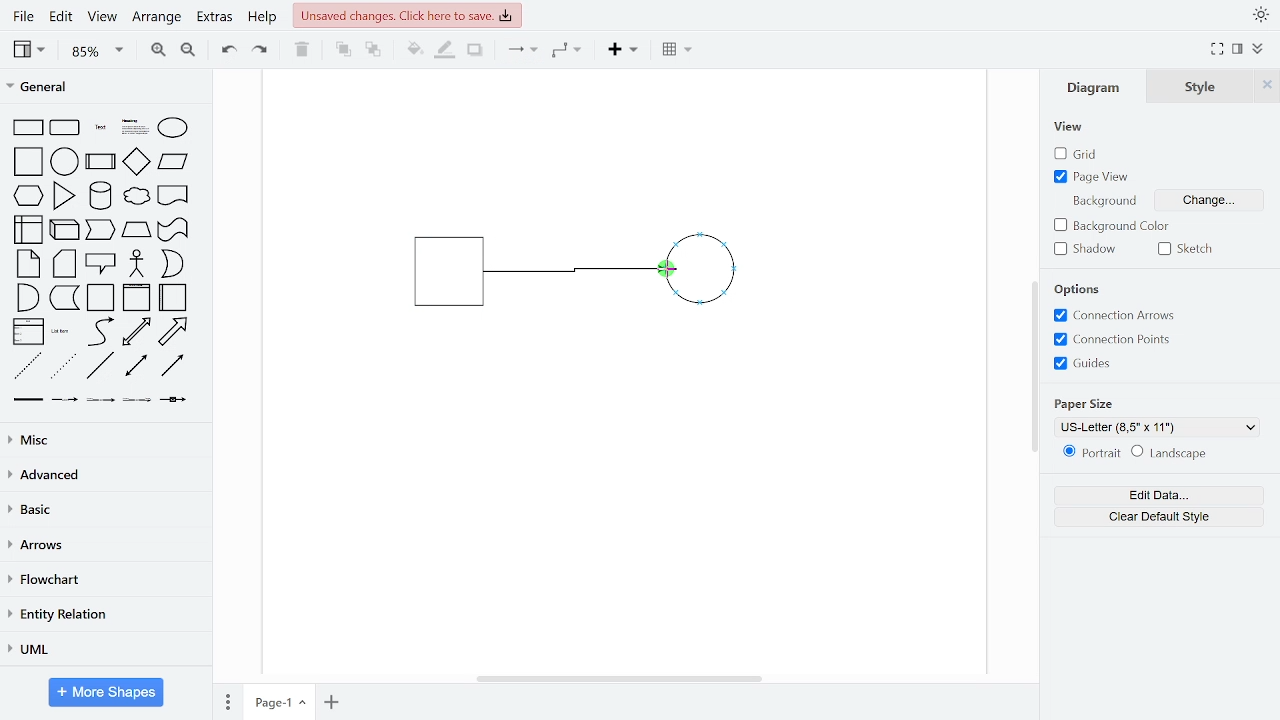 This screenshot has width=1280, height=720. What do you see at coordinates (224, 48) in the screenshot?
I see `undo` at bounding box center [224, 48].